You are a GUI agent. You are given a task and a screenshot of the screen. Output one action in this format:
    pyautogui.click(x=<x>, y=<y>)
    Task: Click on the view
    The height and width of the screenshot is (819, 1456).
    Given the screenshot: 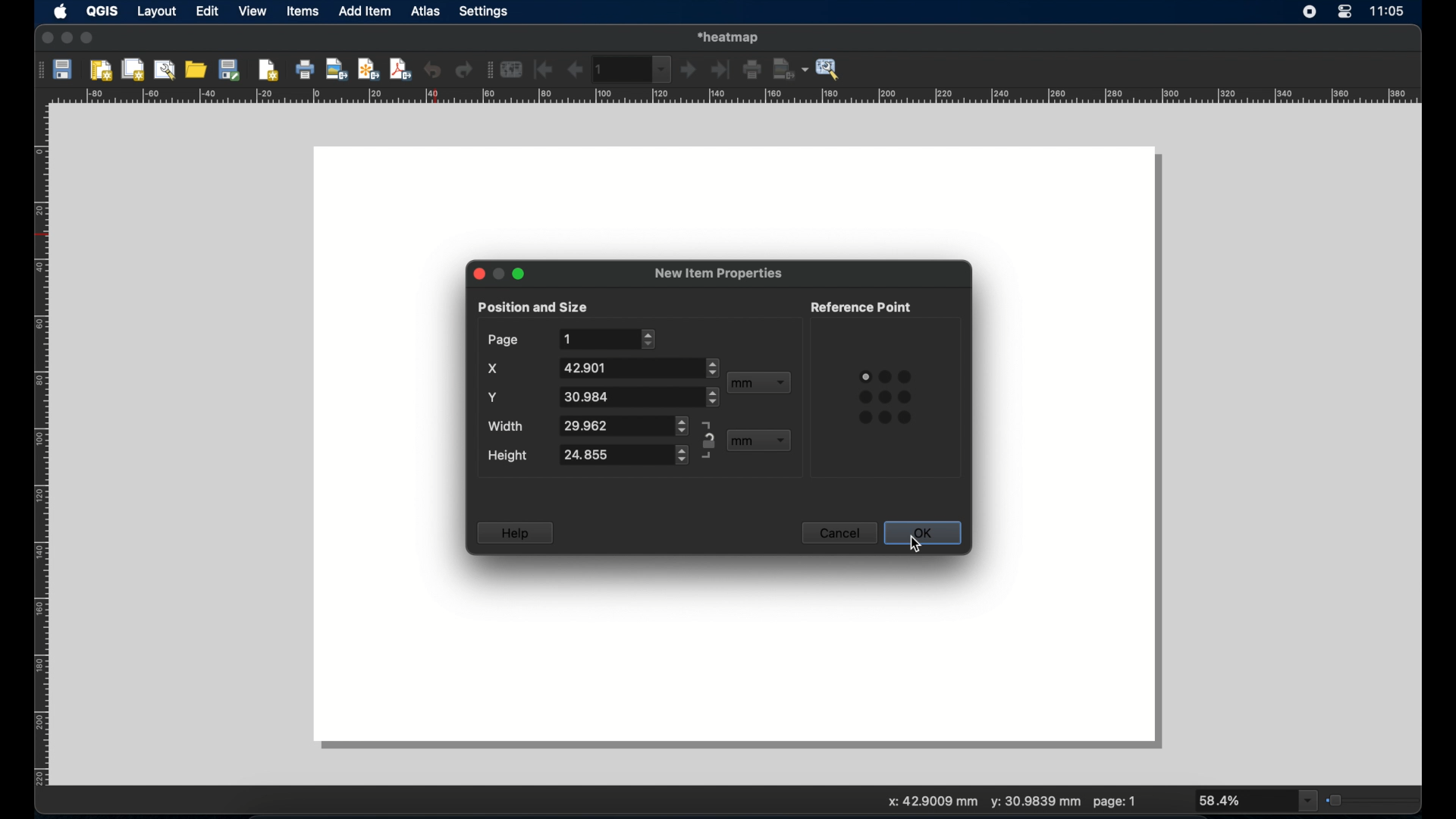 What is the action you would take?
    pyautogui.click(x=252, y=12)
    